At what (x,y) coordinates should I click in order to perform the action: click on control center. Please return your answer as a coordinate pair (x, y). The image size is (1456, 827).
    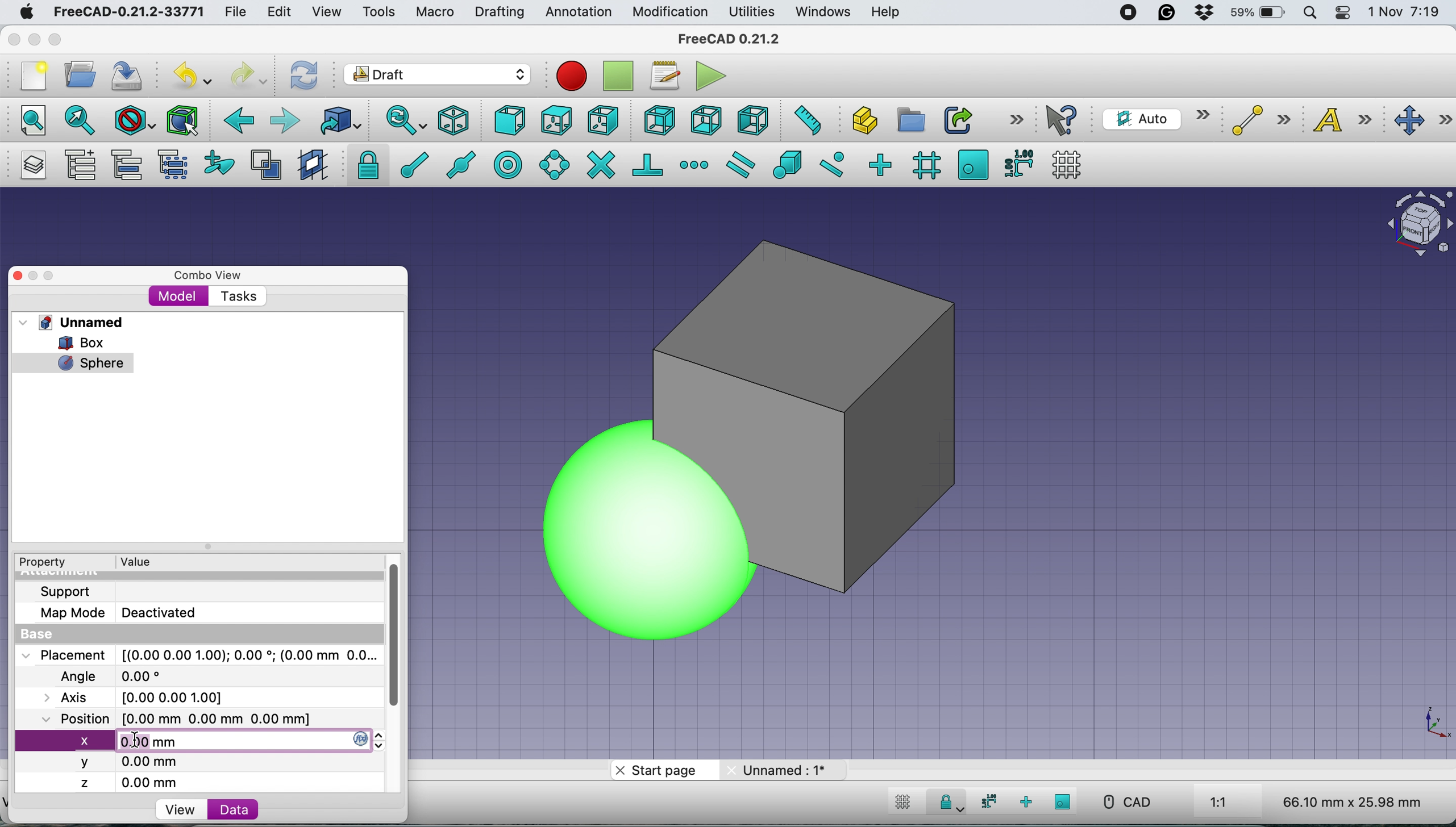
    Looking at the image, I should click on (1343, 12).